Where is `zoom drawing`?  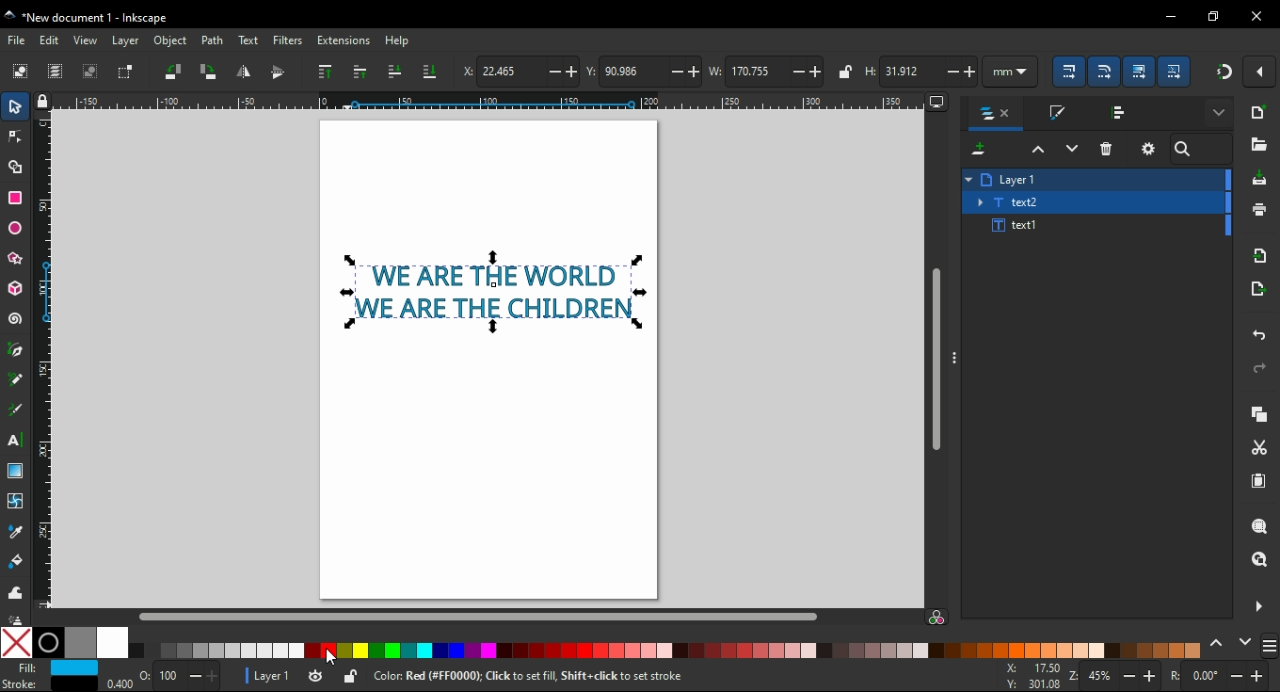 zoom drawing is located at coordinates (1260, 565).